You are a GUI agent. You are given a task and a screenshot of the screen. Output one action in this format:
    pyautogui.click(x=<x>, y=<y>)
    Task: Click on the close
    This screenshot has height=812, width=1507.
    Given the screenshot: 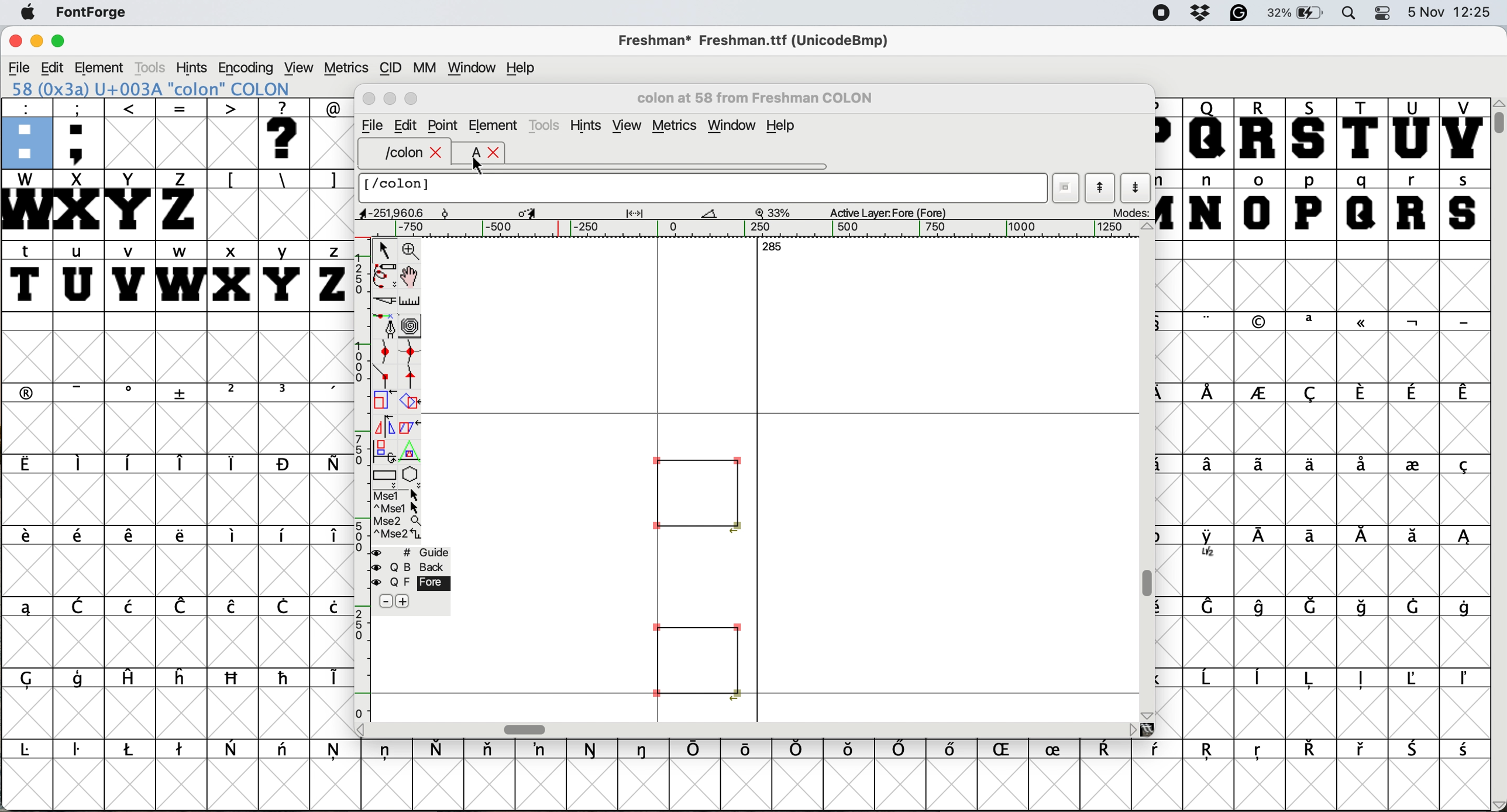 What is the action you would take?
    pyautogui.click(x=438, y=153)
    